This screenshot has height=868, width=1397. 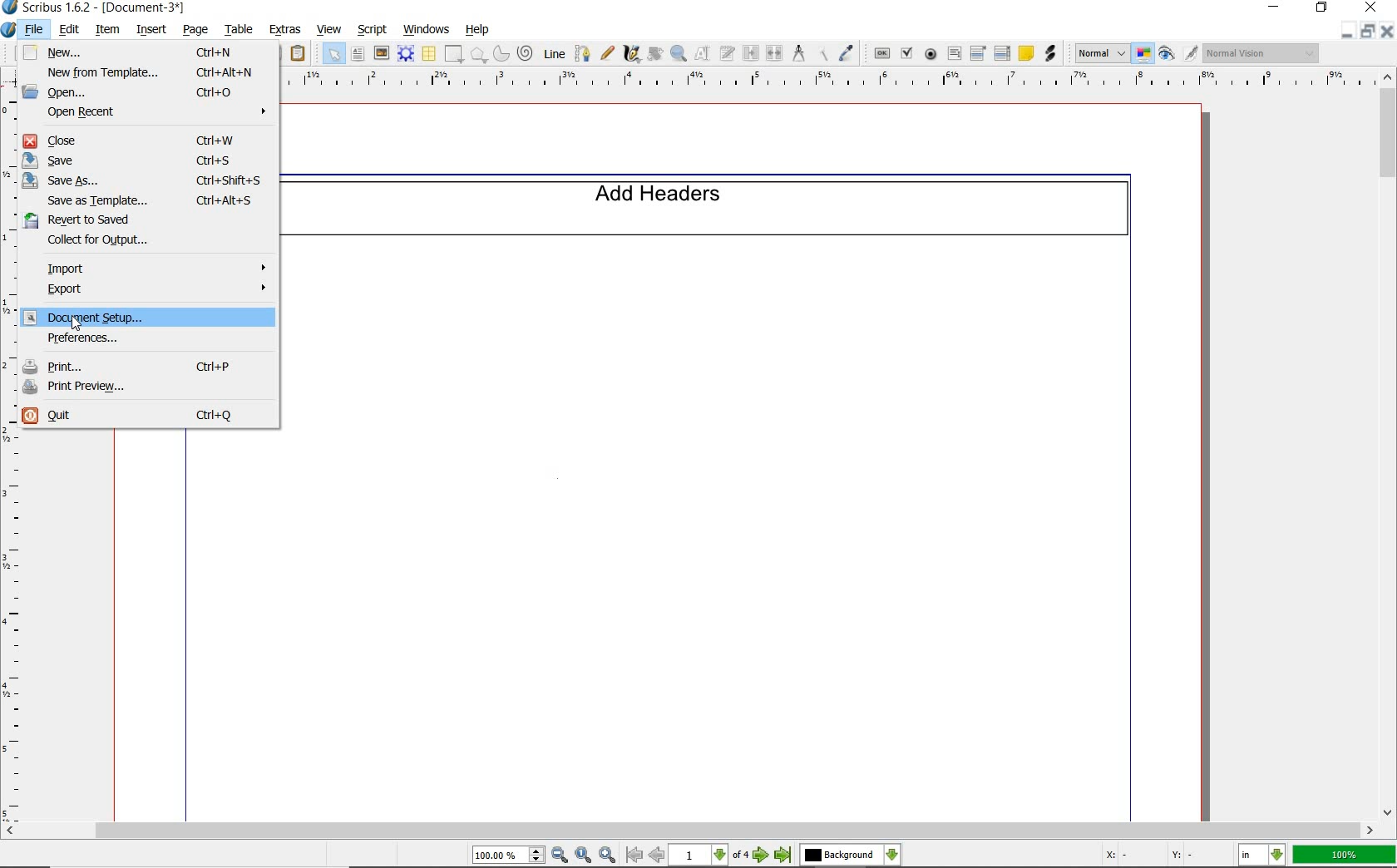 I want to click on system logo, so click(x=9, y=31).